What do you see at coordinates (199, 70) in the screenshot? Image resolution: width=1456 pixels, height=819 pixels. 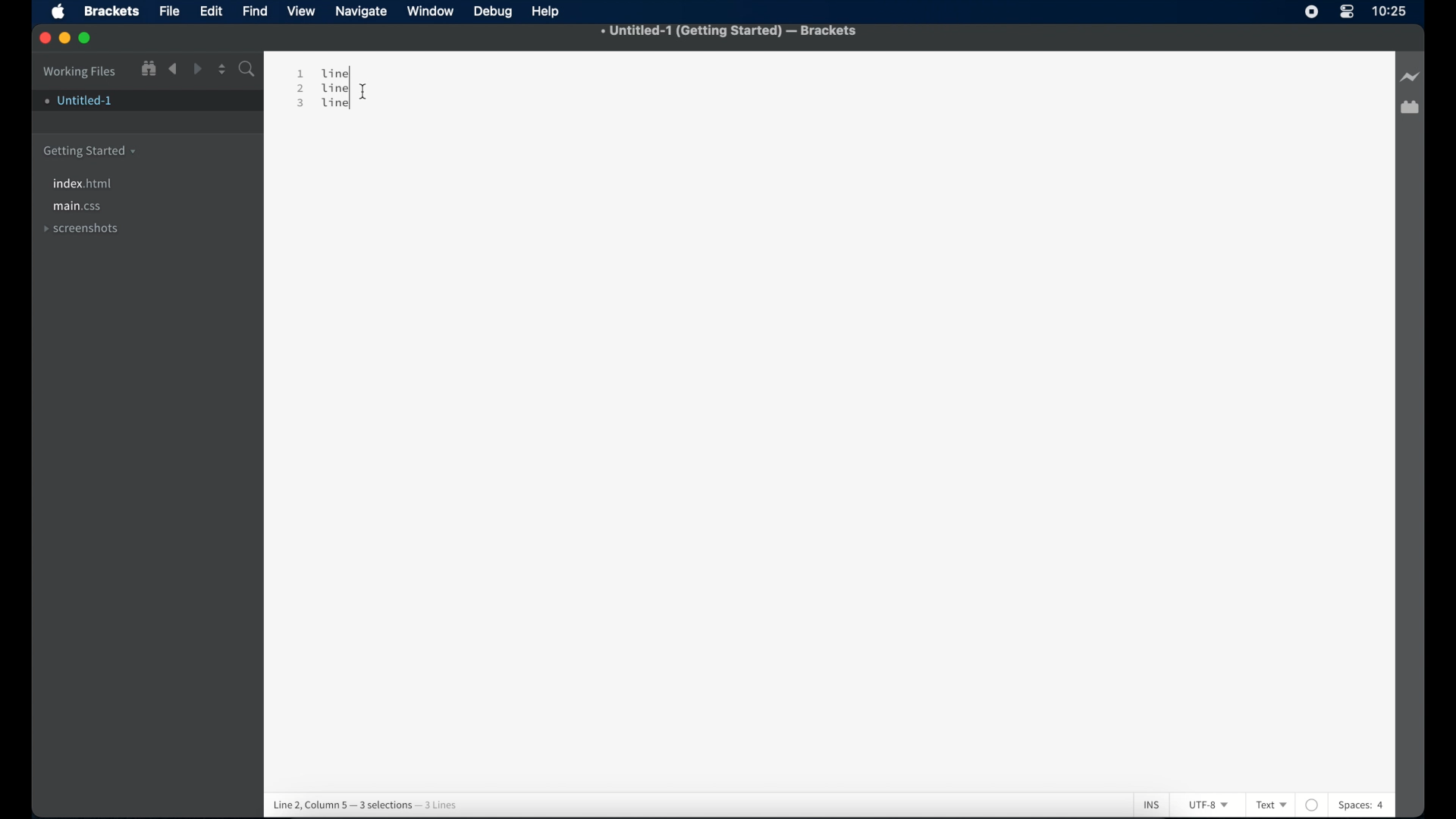 I see `navigate forward` at bounding box center [199, 70].